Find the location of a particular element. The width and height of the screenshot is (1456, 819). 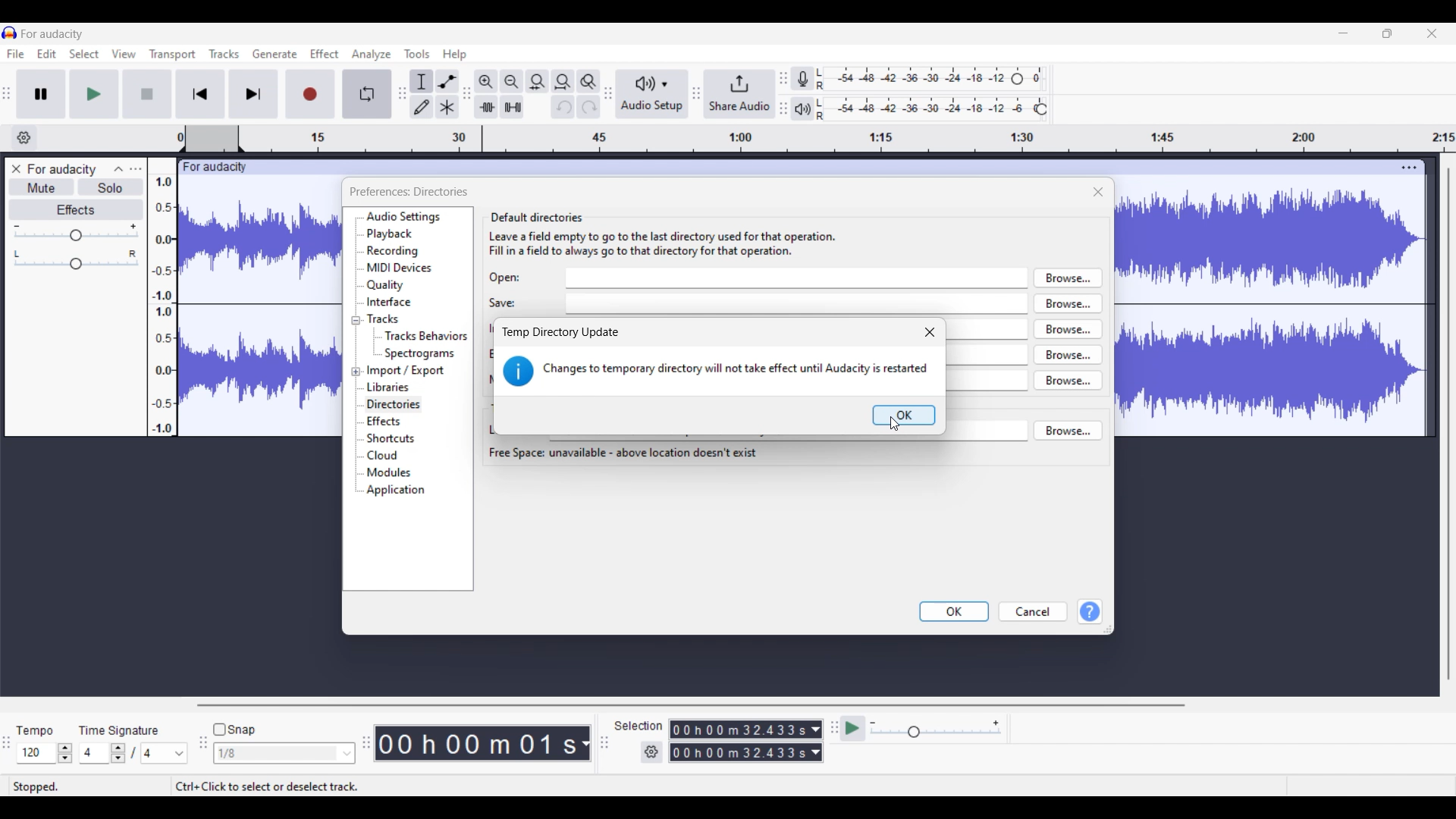

default directories is located at coordinates (554, 194).